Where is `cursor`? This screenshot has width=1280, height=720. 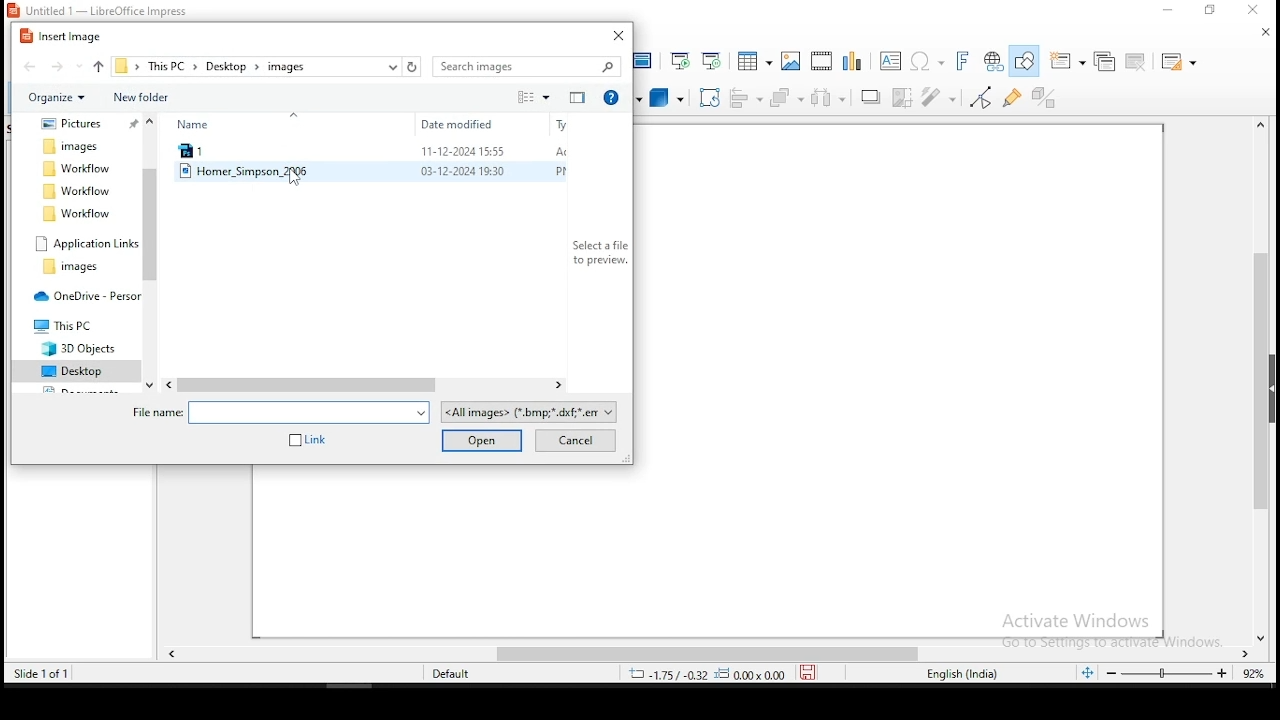
cursor is located at coordinates (294, 181).